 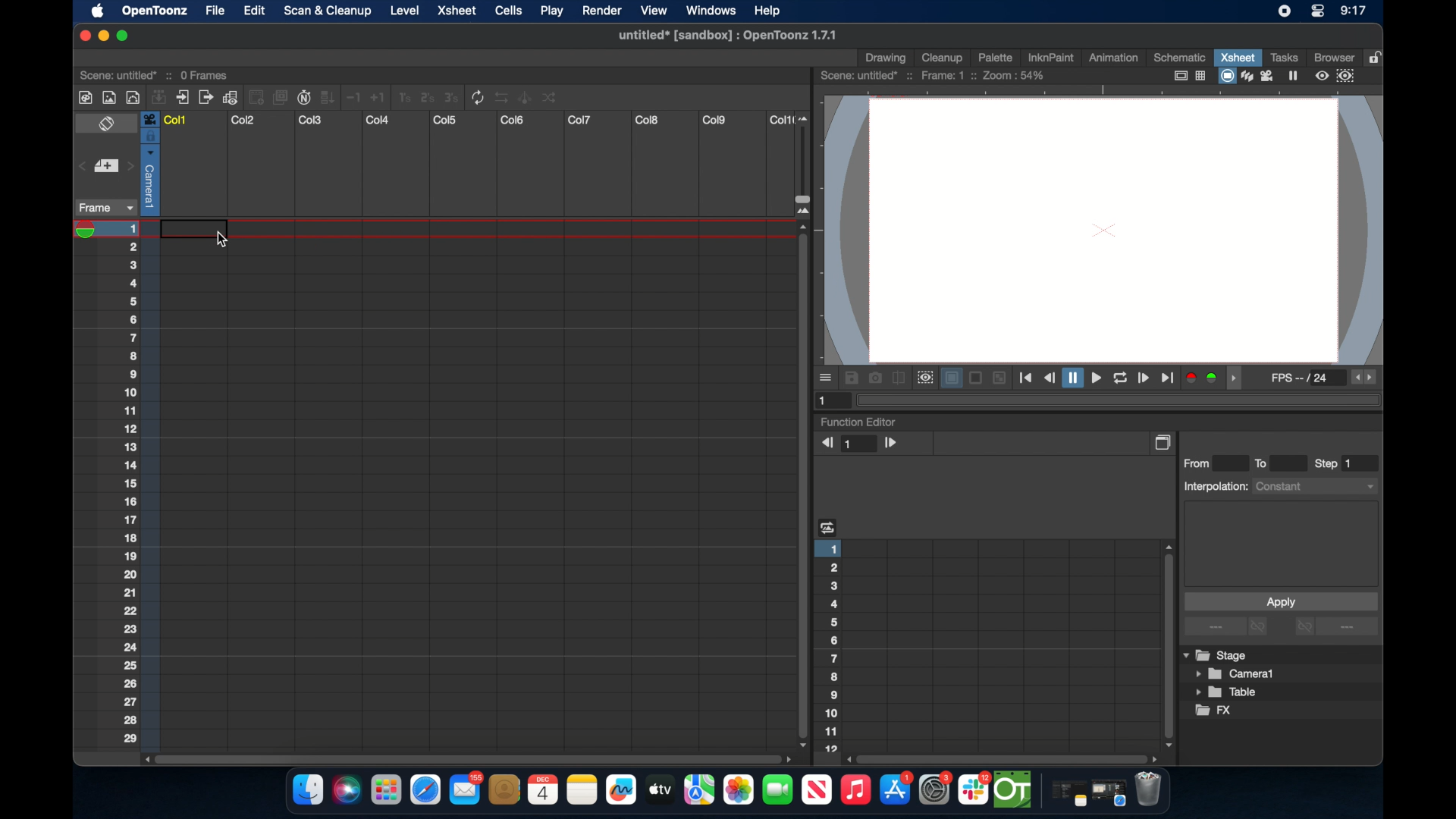 What do you see at coordinates (505, 789) in the screenshot?
I see `contacts` at bounding box center [505, 789].